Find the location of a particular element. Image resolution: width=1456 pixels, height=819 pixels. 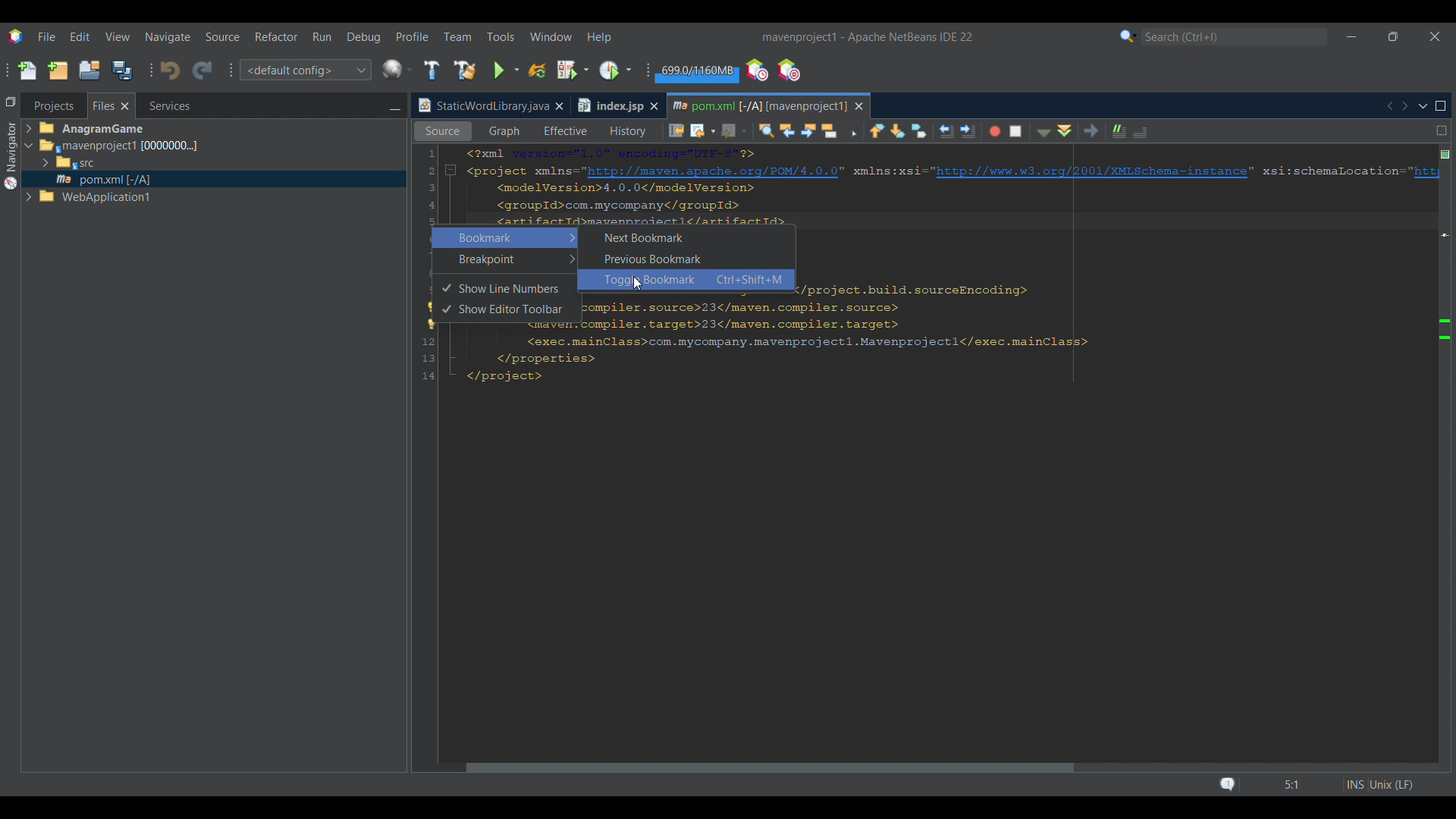

Previous is located at coordinates (1389, 106).